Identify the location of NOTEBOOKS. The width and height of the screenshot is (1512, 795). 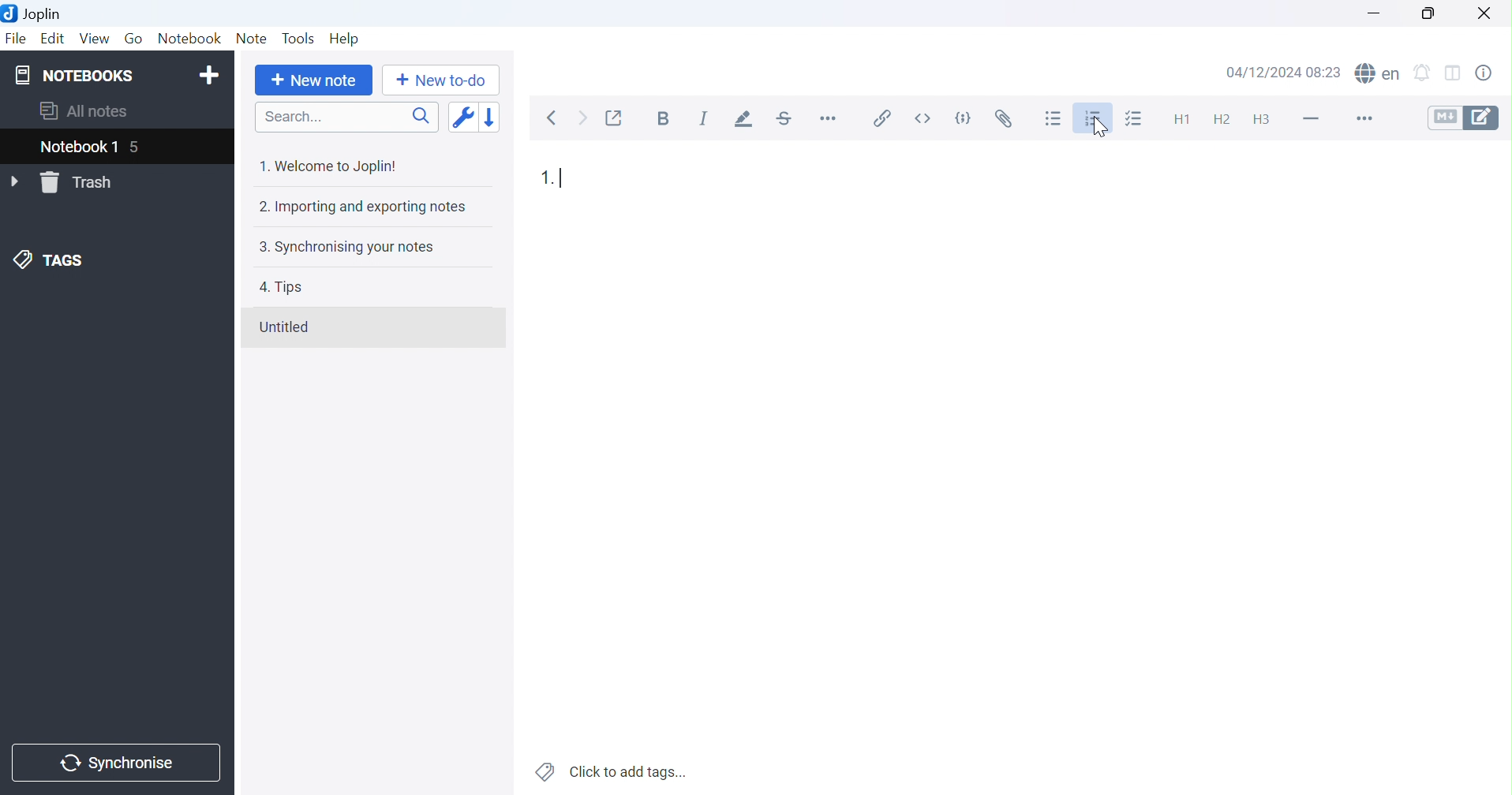
(73, 76).